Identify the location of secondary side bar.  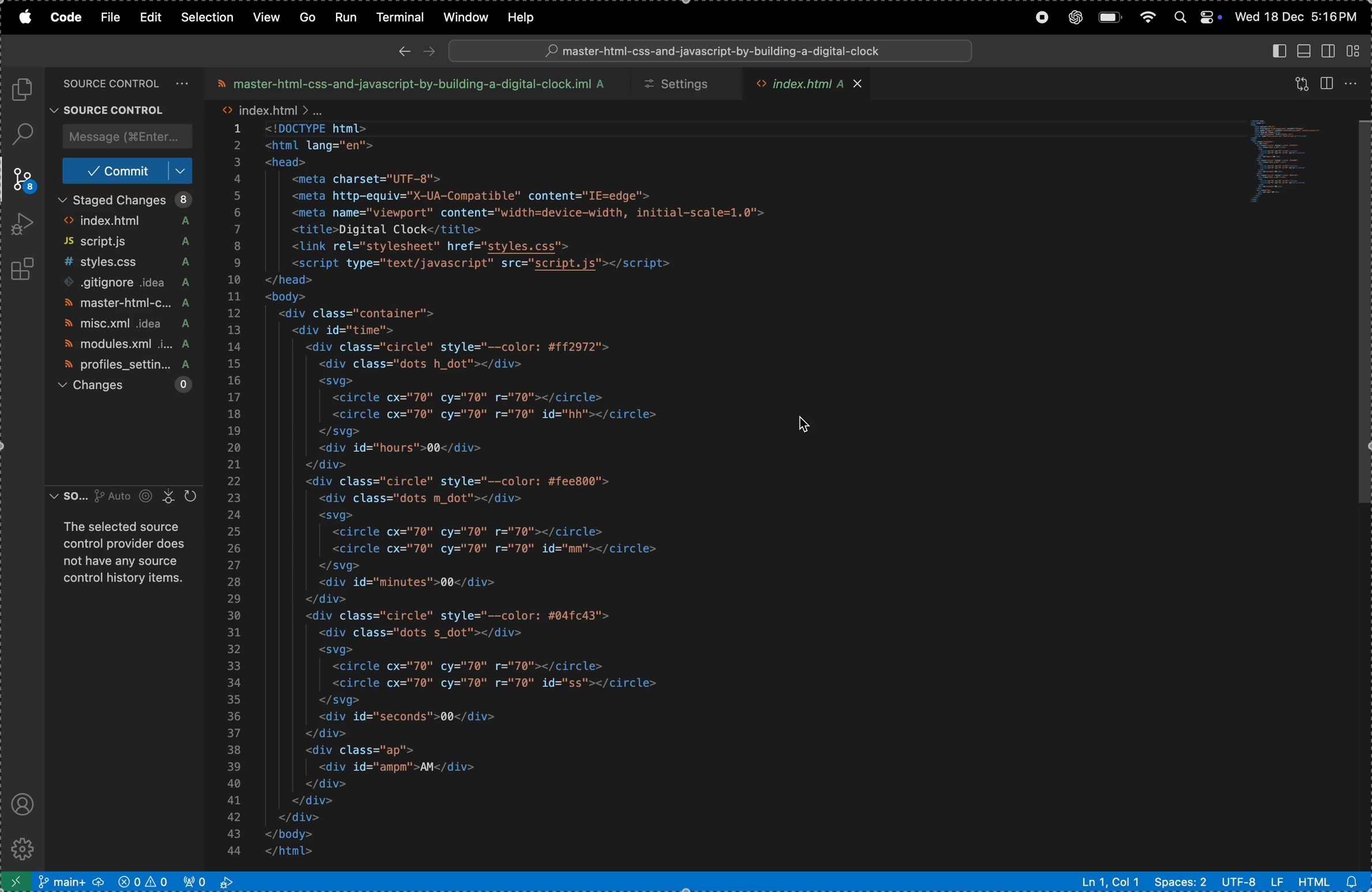
(1326, 52).